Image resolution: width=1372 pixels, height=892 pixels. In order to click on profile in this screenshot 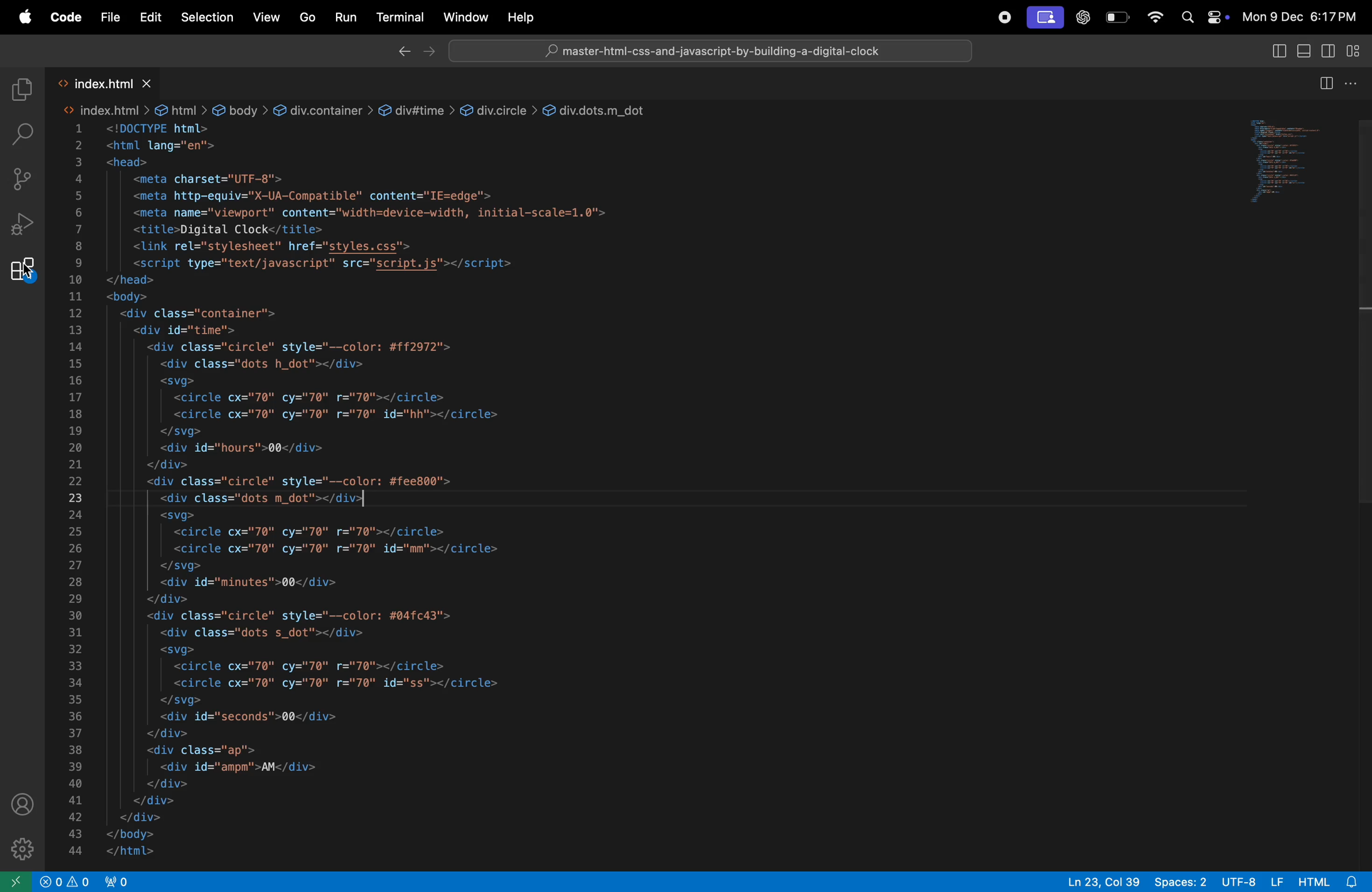, I will do `click(23, 802)`.